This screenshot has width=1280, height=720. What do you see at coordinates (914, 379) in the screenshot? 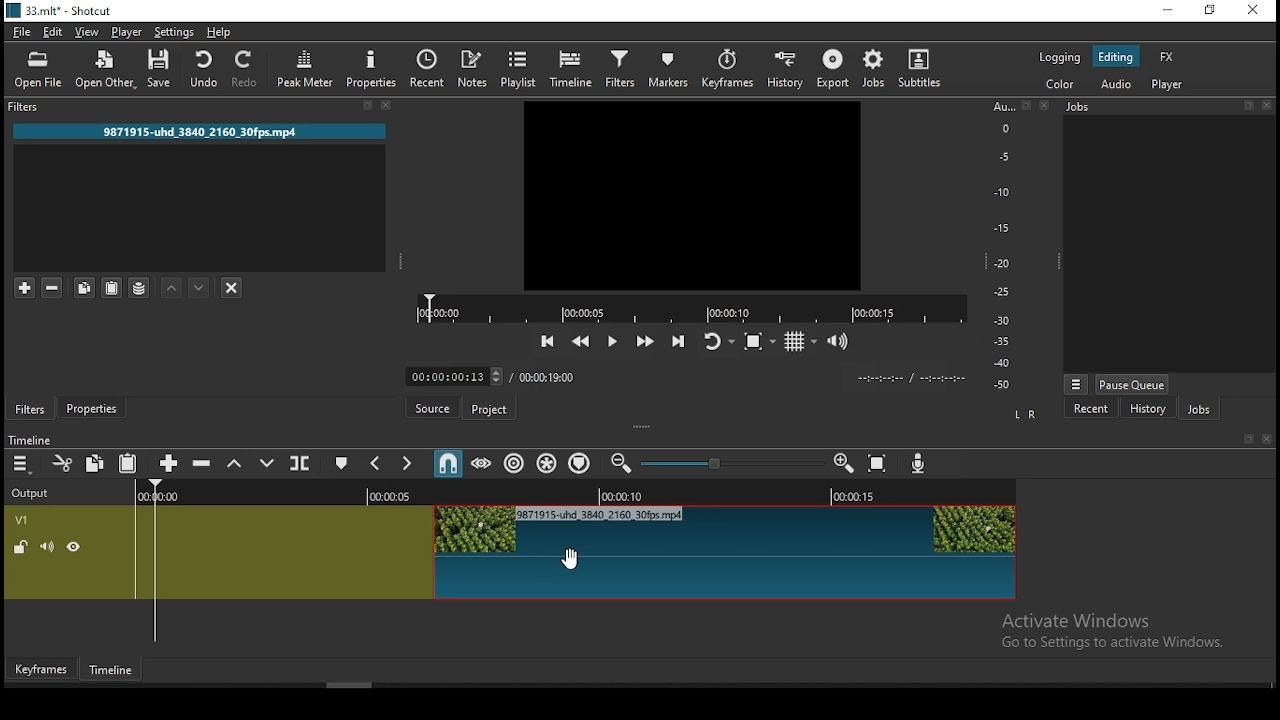
I see `Playback time` at bounding box center [914, 379].